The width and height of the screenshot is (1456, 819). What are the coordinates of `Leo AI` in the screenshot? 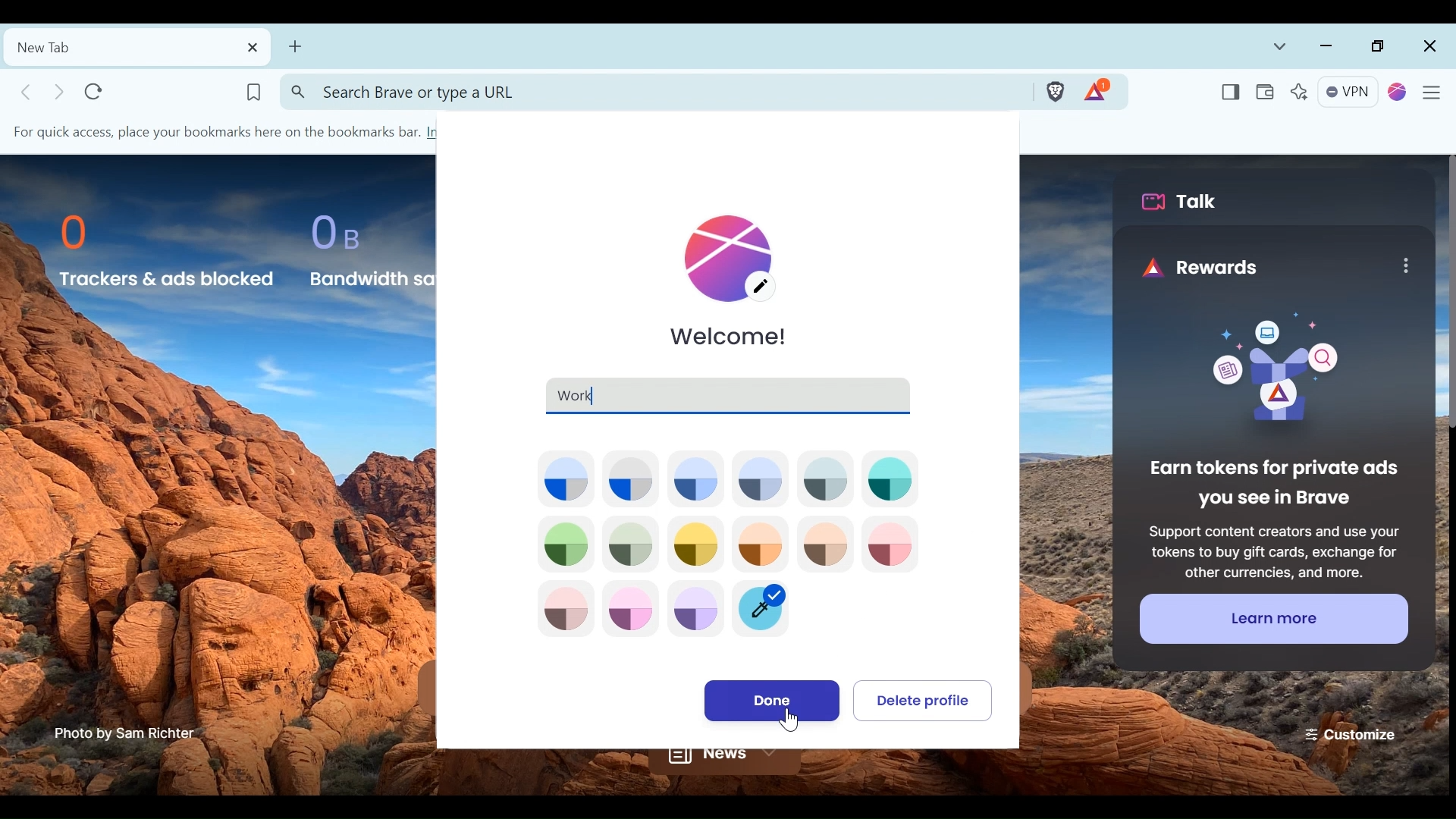 It's located at (1298, 93).